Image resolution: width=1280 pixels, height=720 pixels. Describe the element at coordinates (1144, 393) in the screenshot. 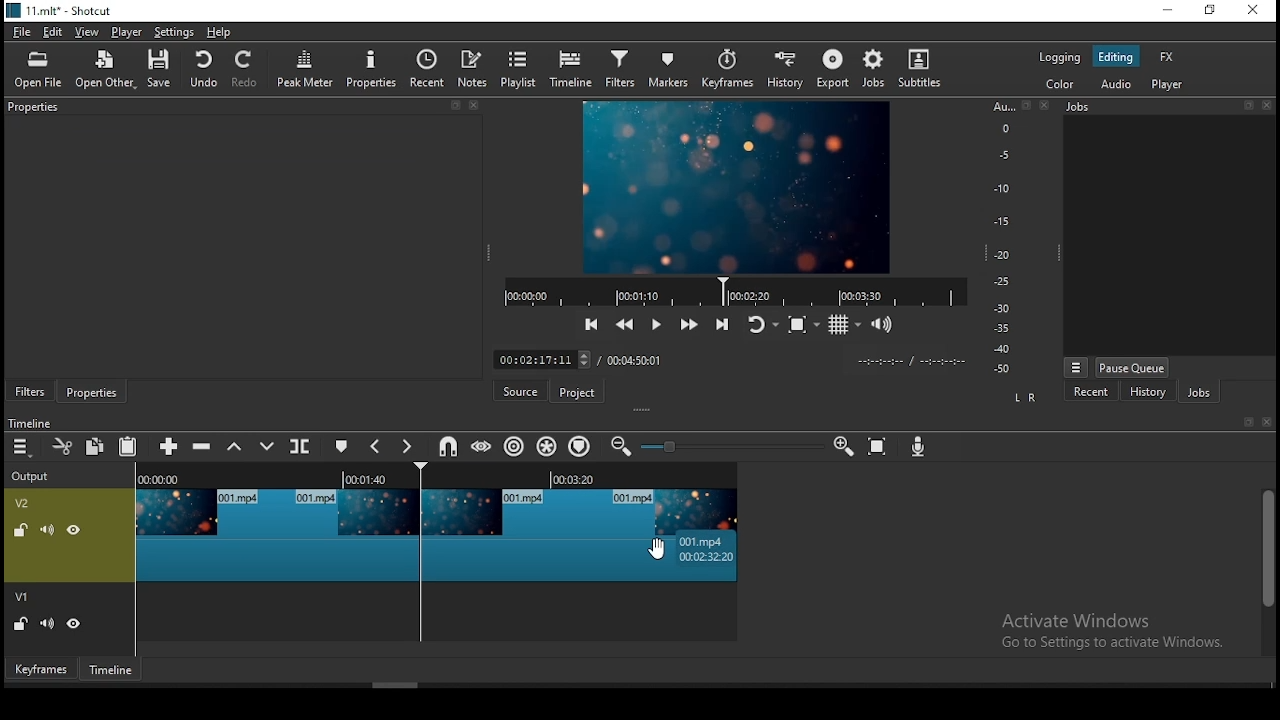

I see `history` at that location.